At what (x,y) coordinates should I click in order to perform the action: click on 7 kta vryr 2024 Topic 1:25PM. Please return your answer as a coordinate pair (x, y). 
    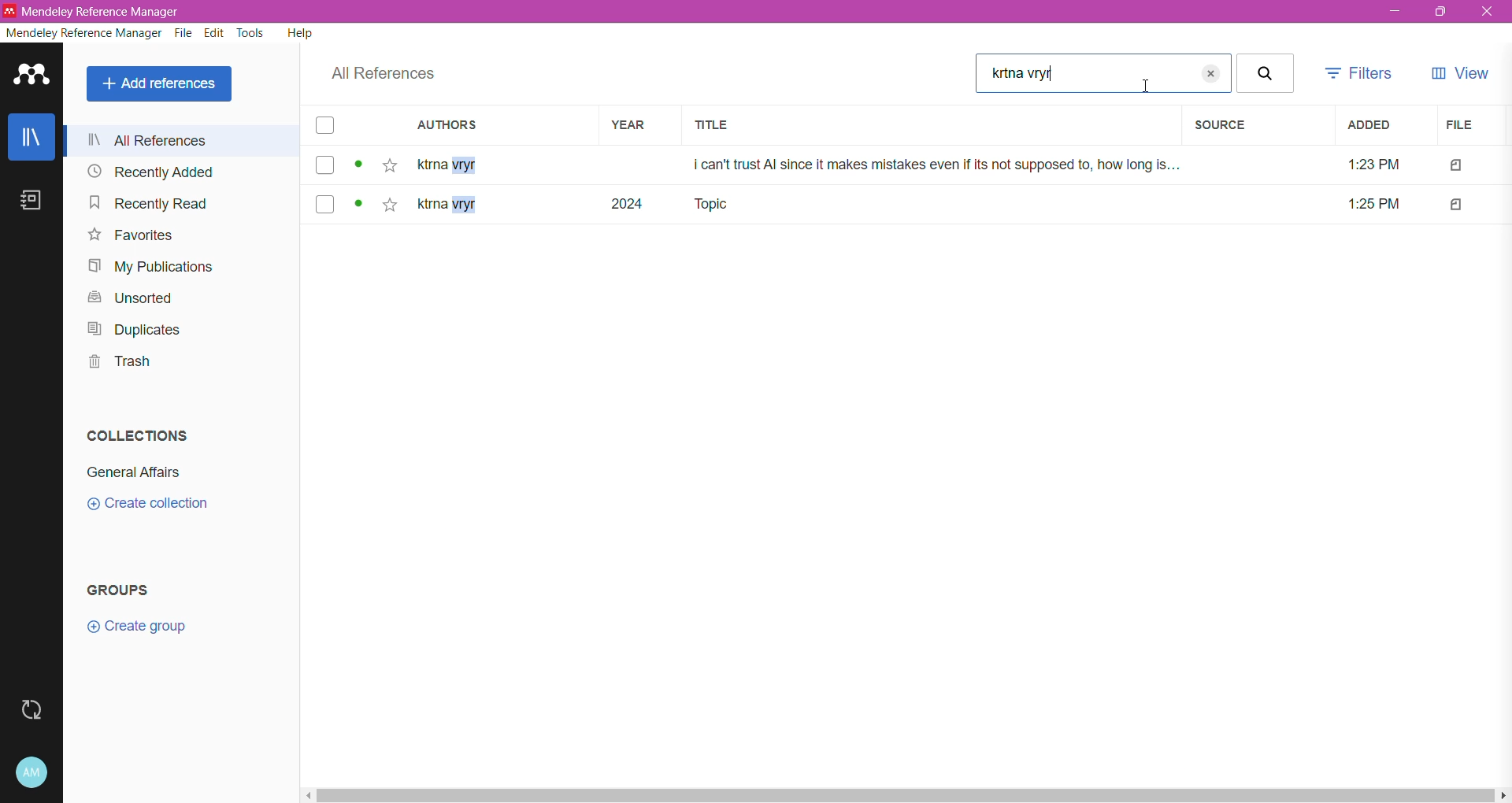
    Looking at the image, I should click on (912, 204).